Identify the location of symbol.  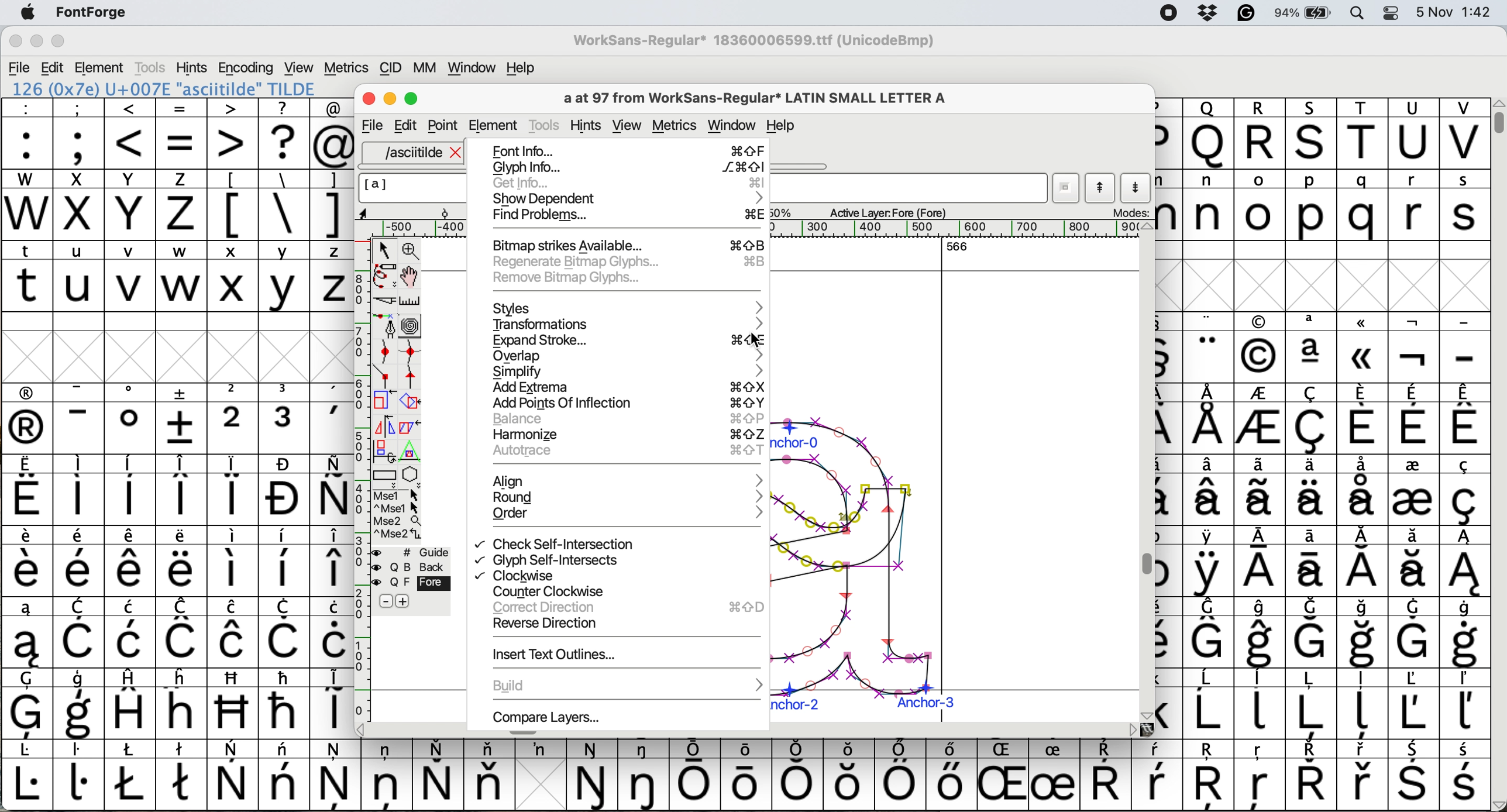
(1310, 703).